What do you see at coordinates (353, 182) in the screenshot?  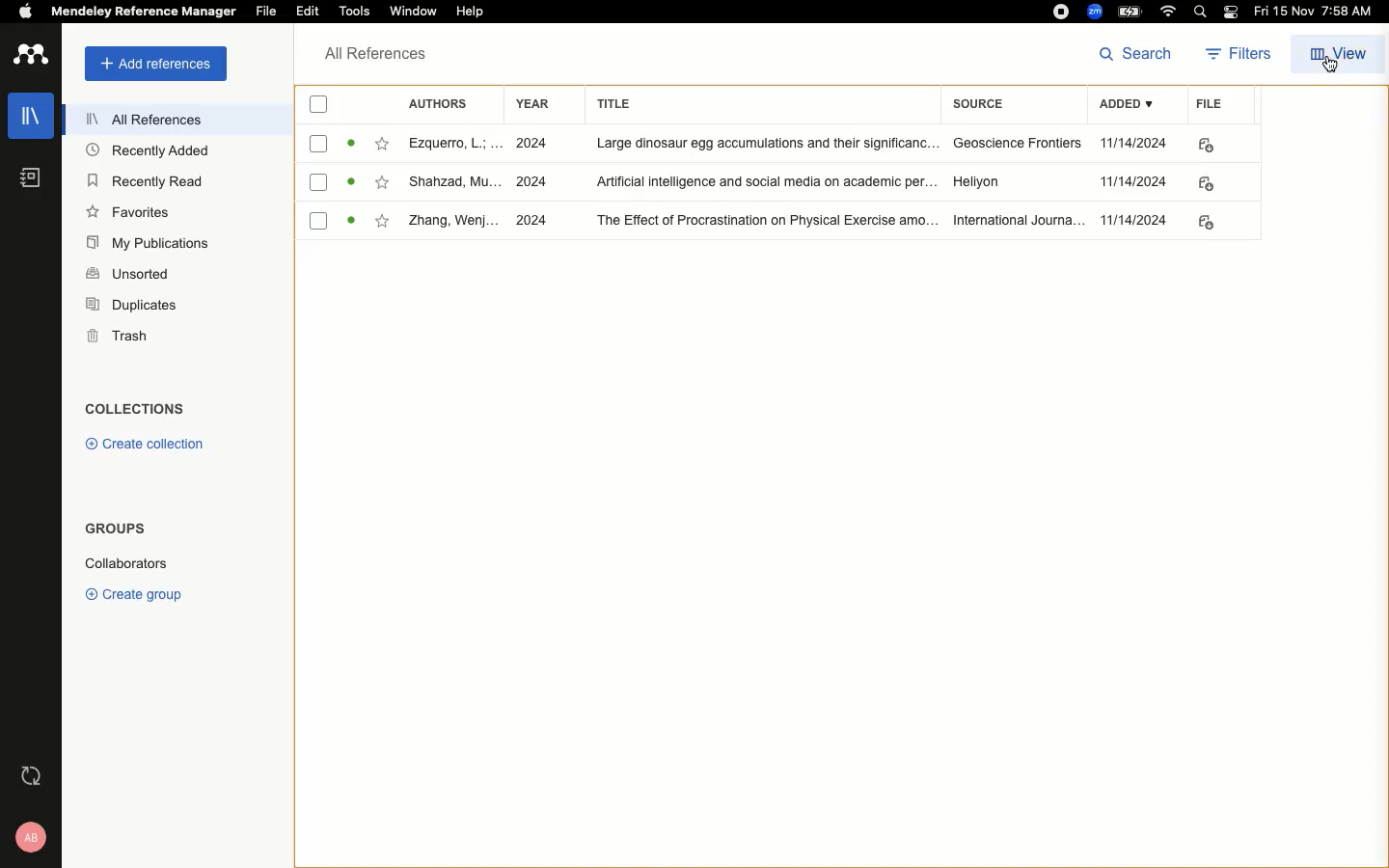 I see `Active` at bounding box center [353, 182].